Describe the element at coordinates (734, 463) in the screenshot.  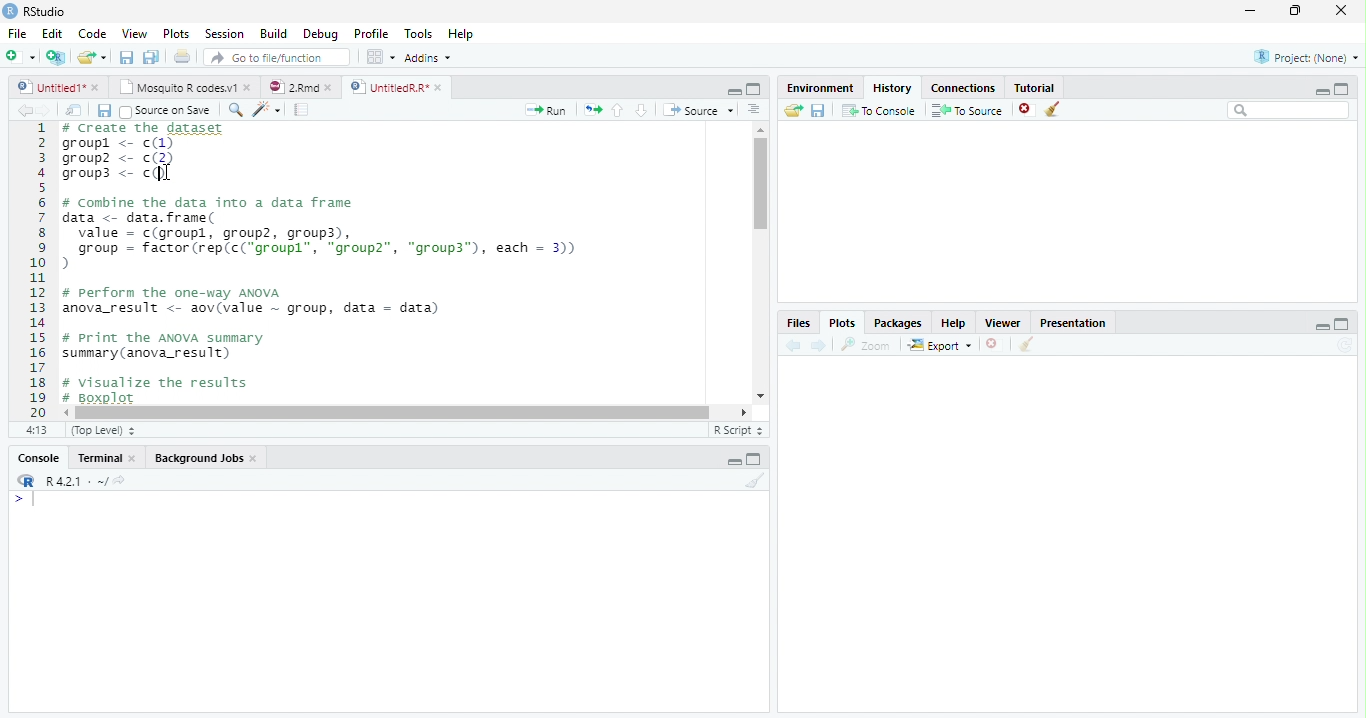
I see `Minimize` at that location.